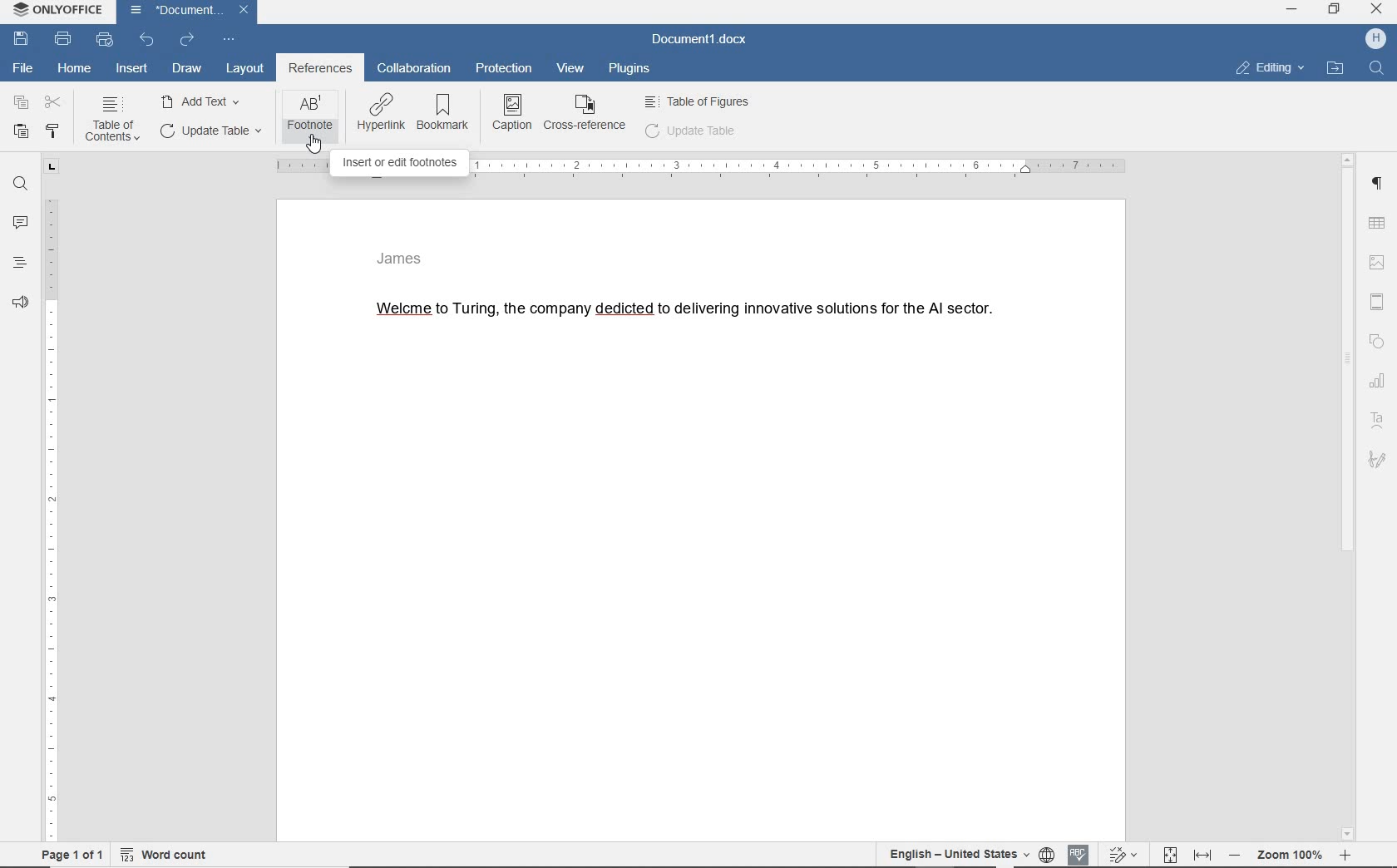 Image resolution: width=1397 pixels, height=868 pixels. Describe the element at coordinates (1239, 856) in the screenshot. I see `zoom out` at that location.